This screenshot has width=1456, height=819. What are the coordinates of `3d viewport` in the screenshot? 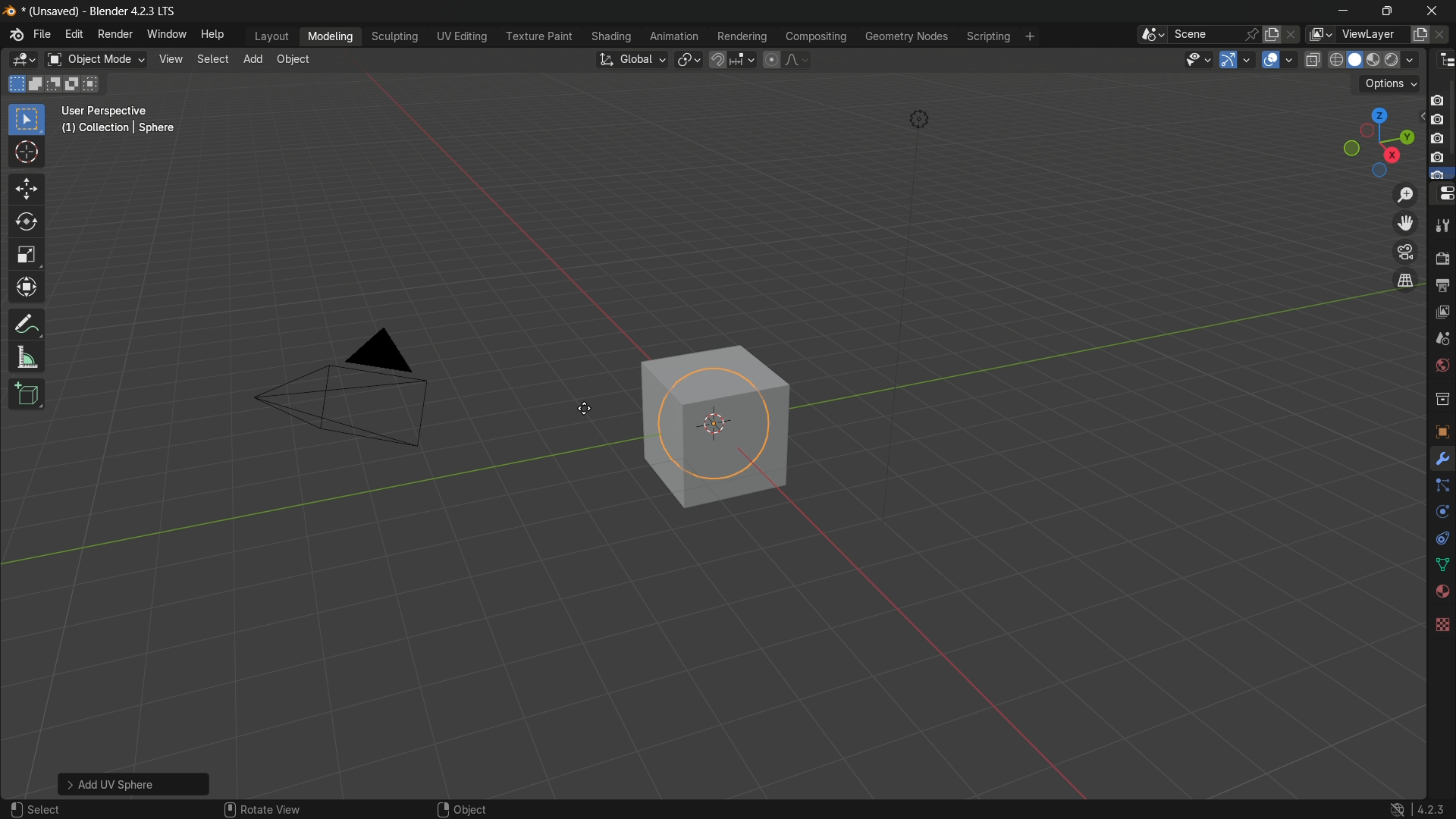 It's located at (20, 60).